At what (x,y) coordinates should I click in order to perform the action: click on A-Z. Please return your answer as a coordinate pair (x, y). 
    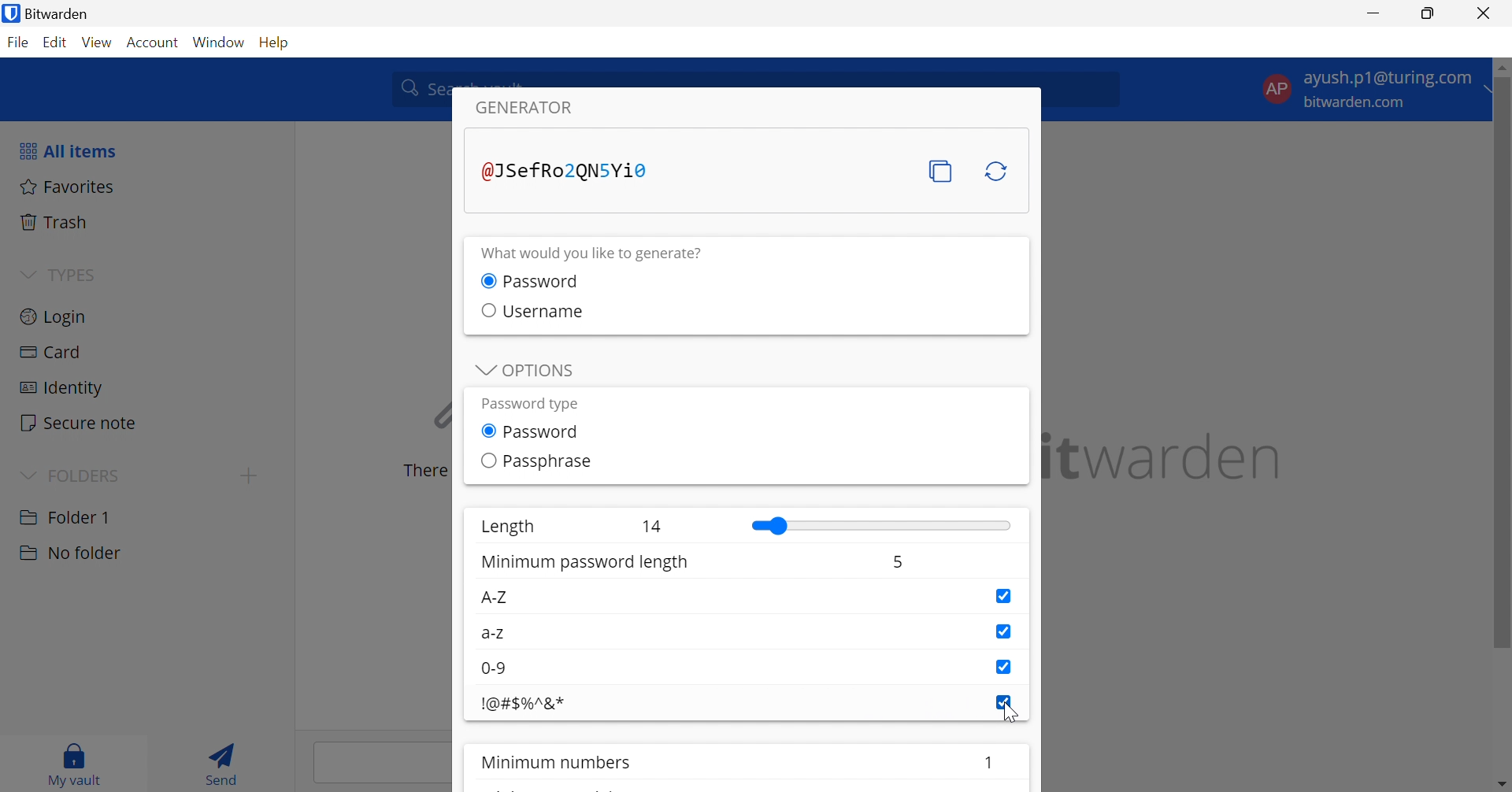
    Looking at the image, I should click on (494, 598).